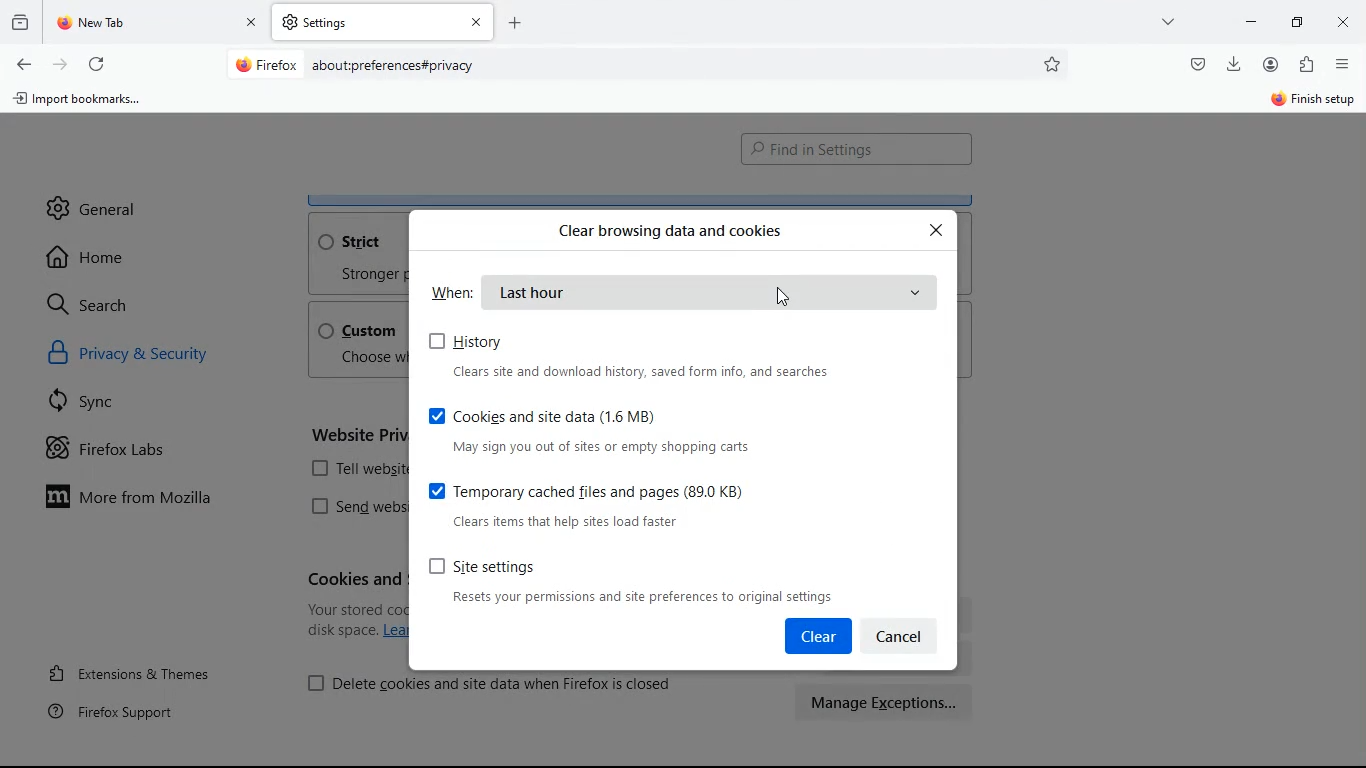  I want to click on clear, so click(817, 636).